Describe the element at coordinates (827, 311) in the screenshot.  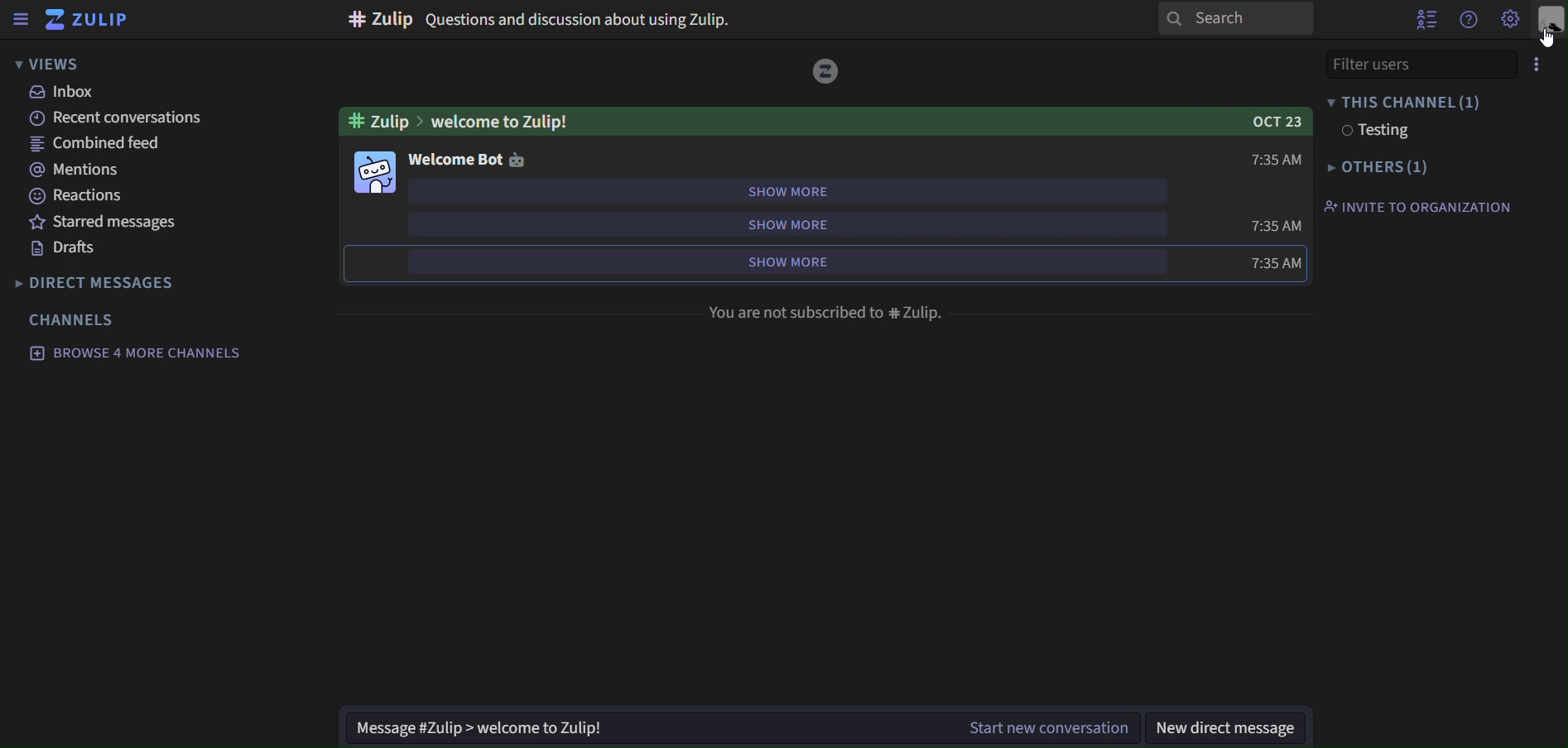
I see `you are not subscribed to #zulip` at that location.